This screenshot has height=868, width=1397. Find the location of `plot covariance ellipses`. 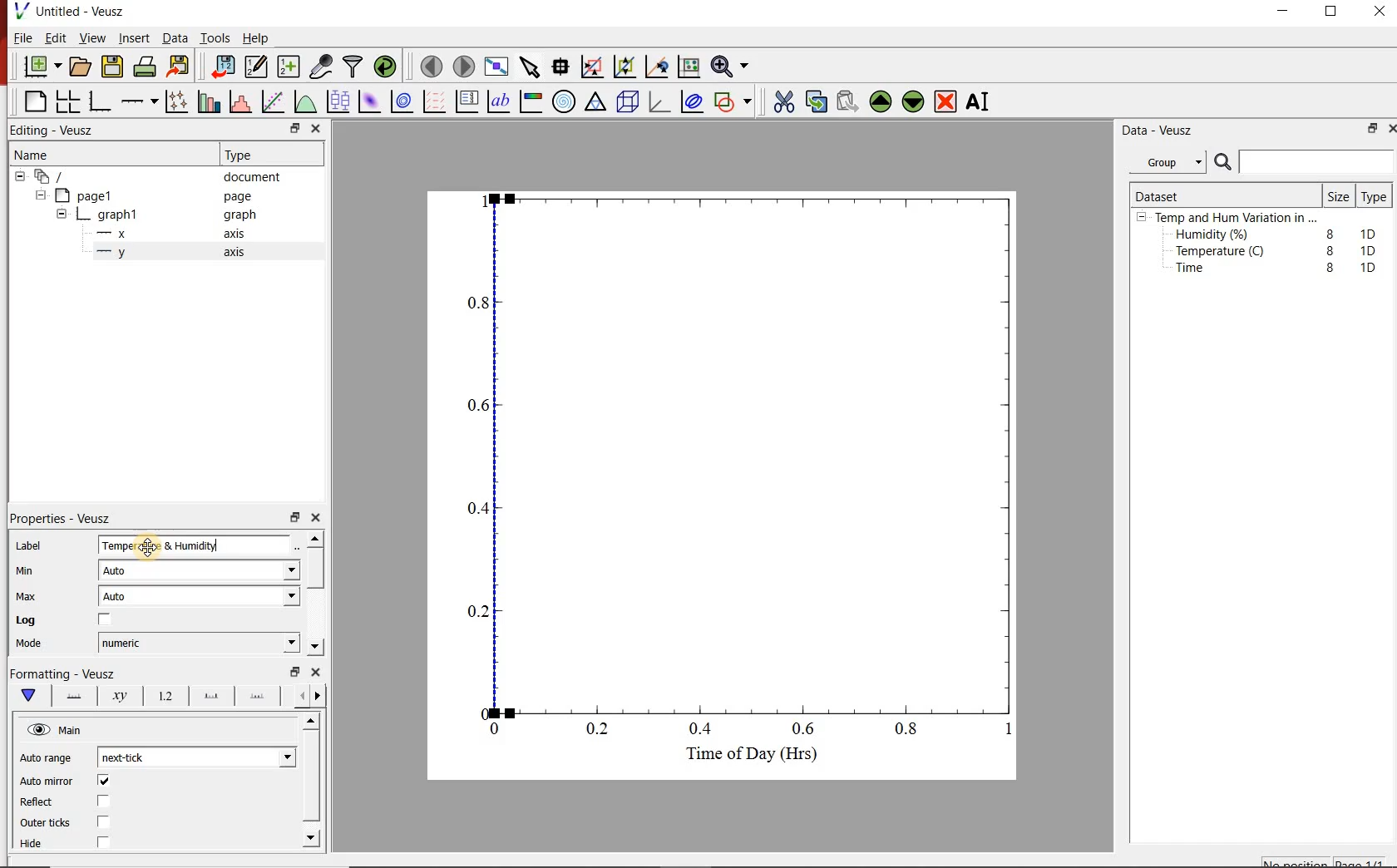

plot covariance ellipses is located at coordinates (696, 105).